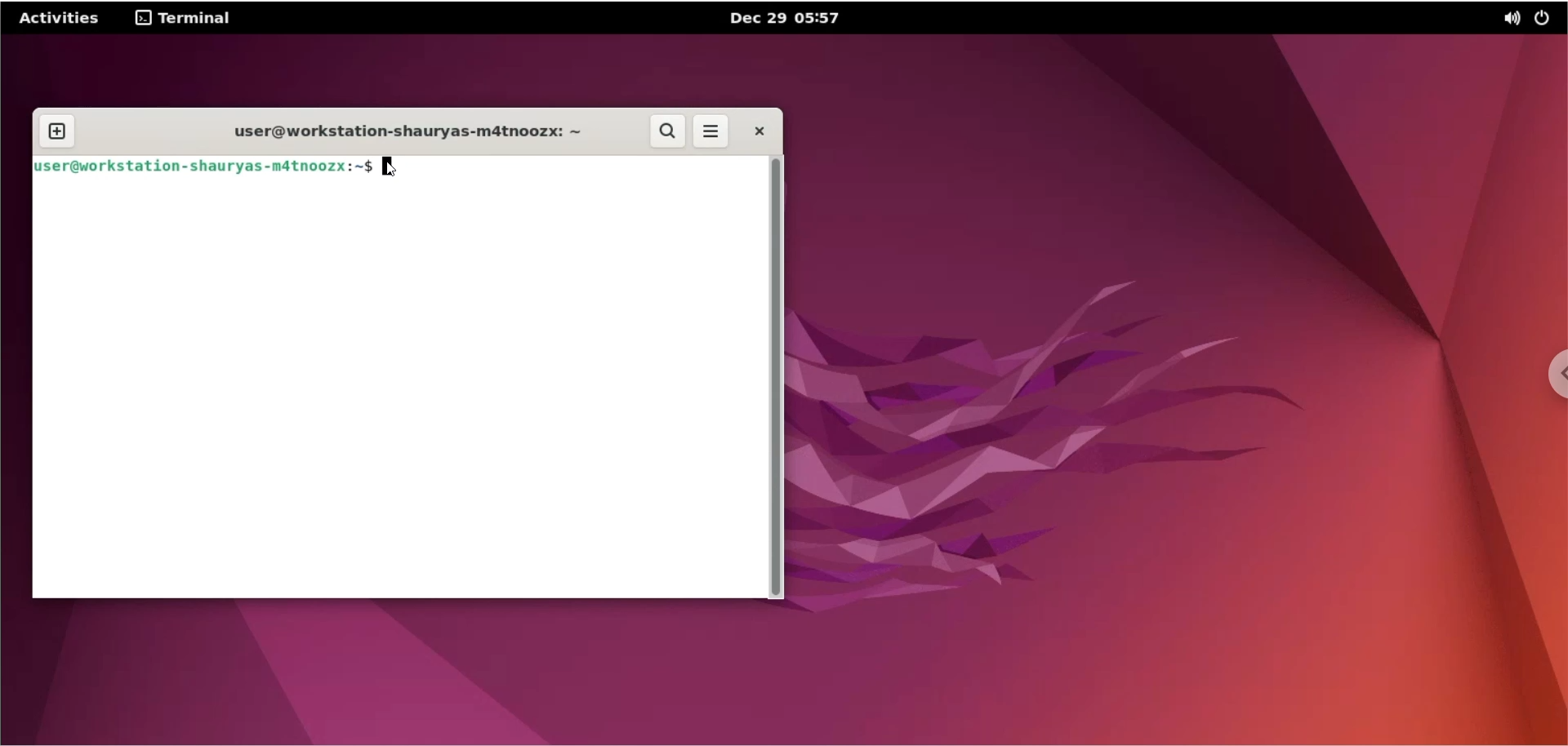  Describe the element at coordinates (1548, 17) in the screenshot. I see `power option` at that location.